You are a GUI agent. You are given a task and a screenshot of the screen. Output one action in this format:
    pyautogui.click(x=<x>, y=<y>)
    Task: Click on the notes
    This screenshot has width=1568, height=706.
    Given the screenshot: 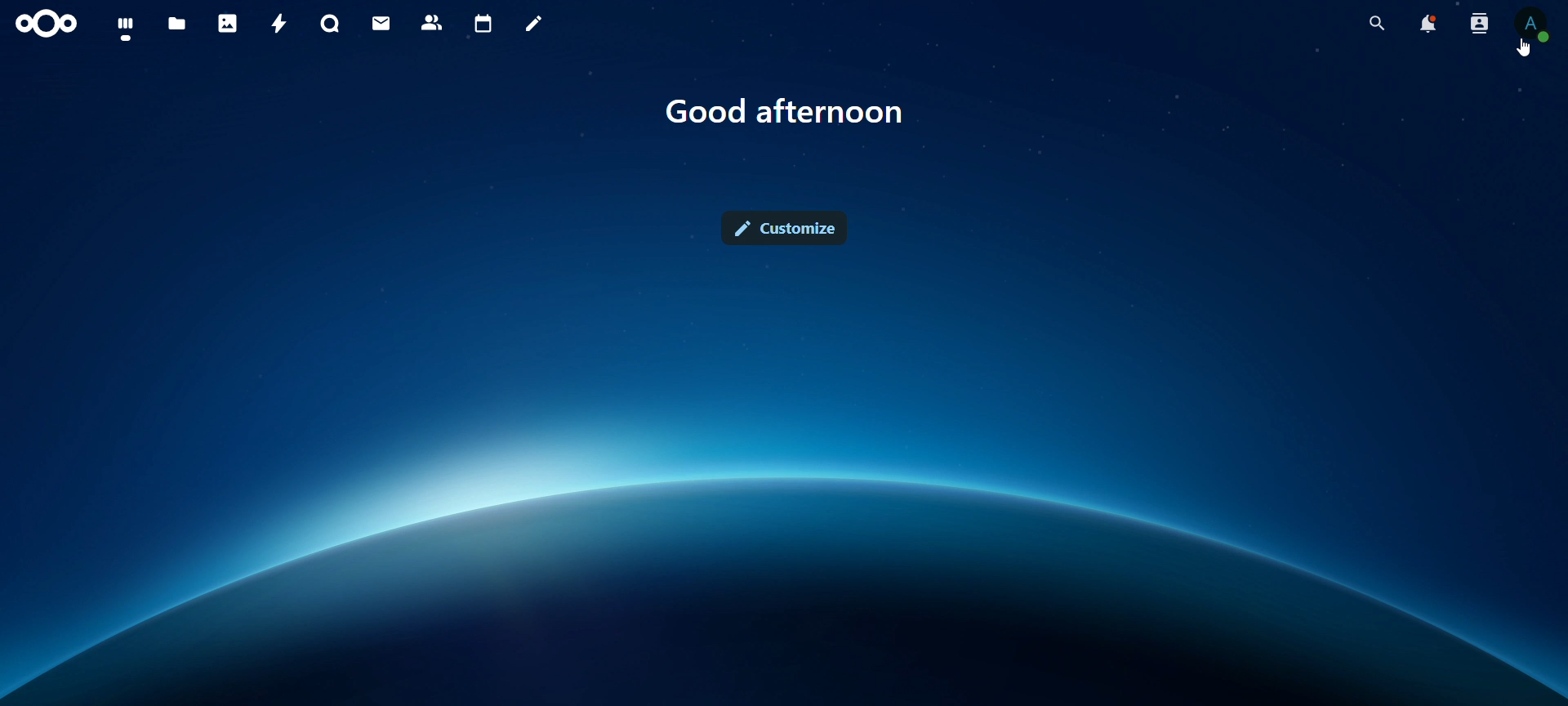 What is the action you would take?
    pyautogui.click(x=533, y=24)
    